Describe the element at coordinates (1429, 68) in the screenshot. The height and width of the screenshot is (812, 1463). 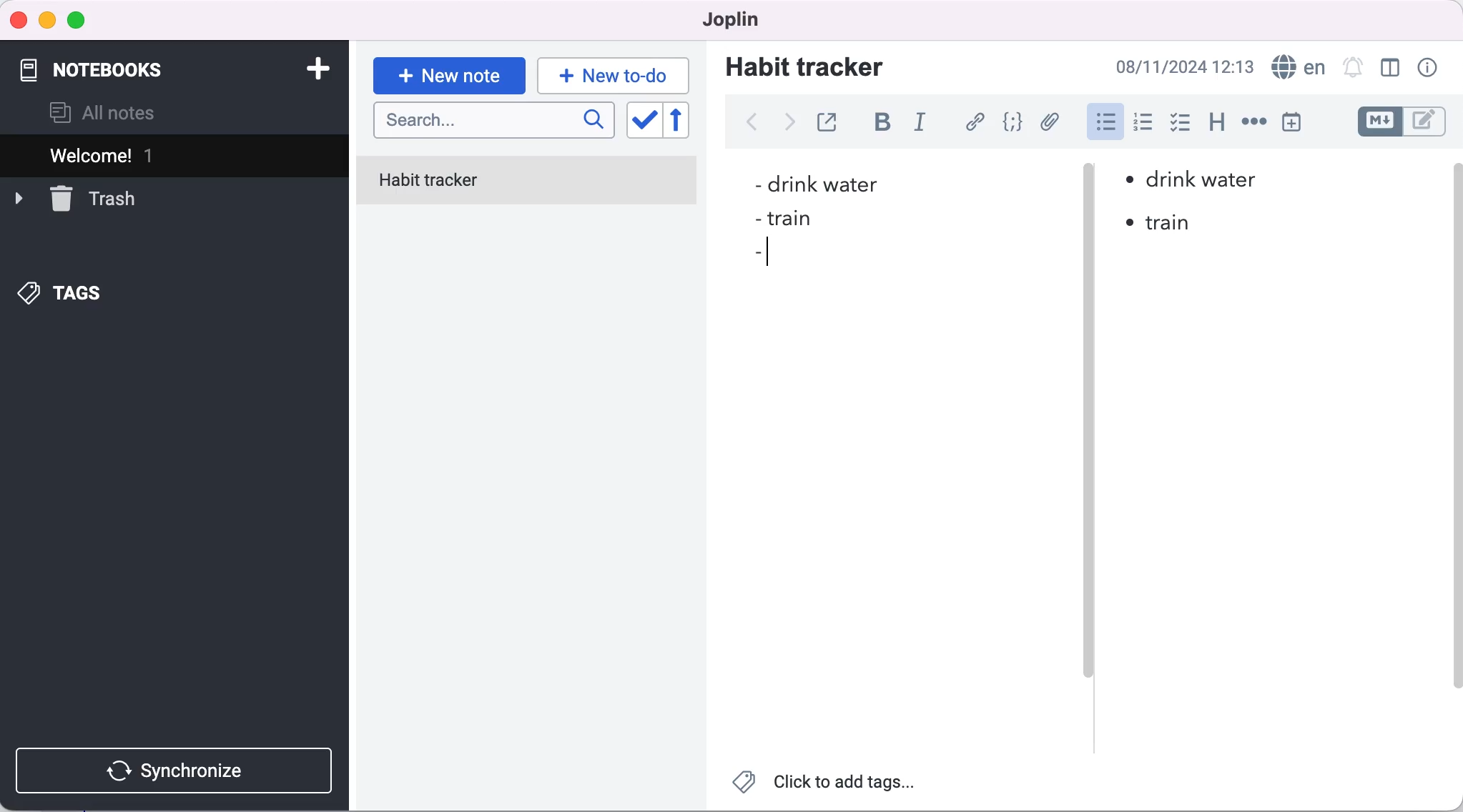
I see `note properties` at that location.